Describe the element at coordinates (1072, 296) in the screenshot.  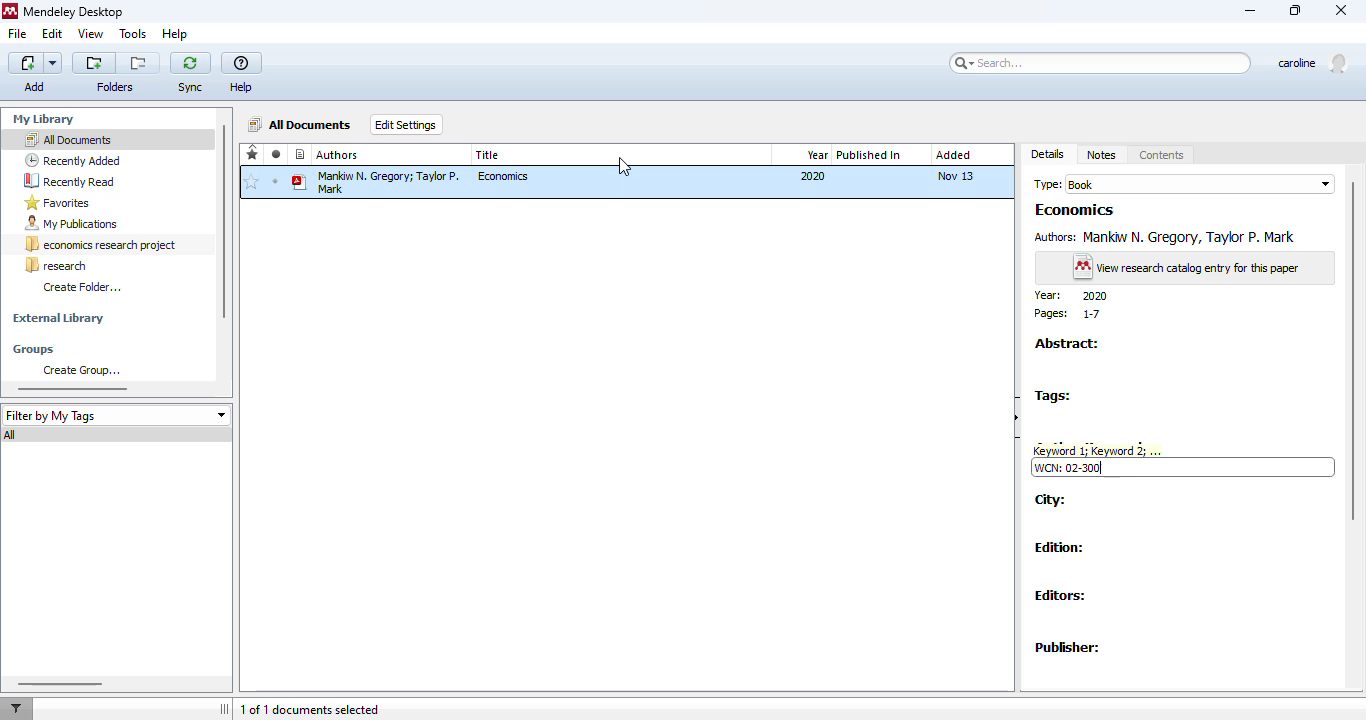
I see `year: 2020` at that location.